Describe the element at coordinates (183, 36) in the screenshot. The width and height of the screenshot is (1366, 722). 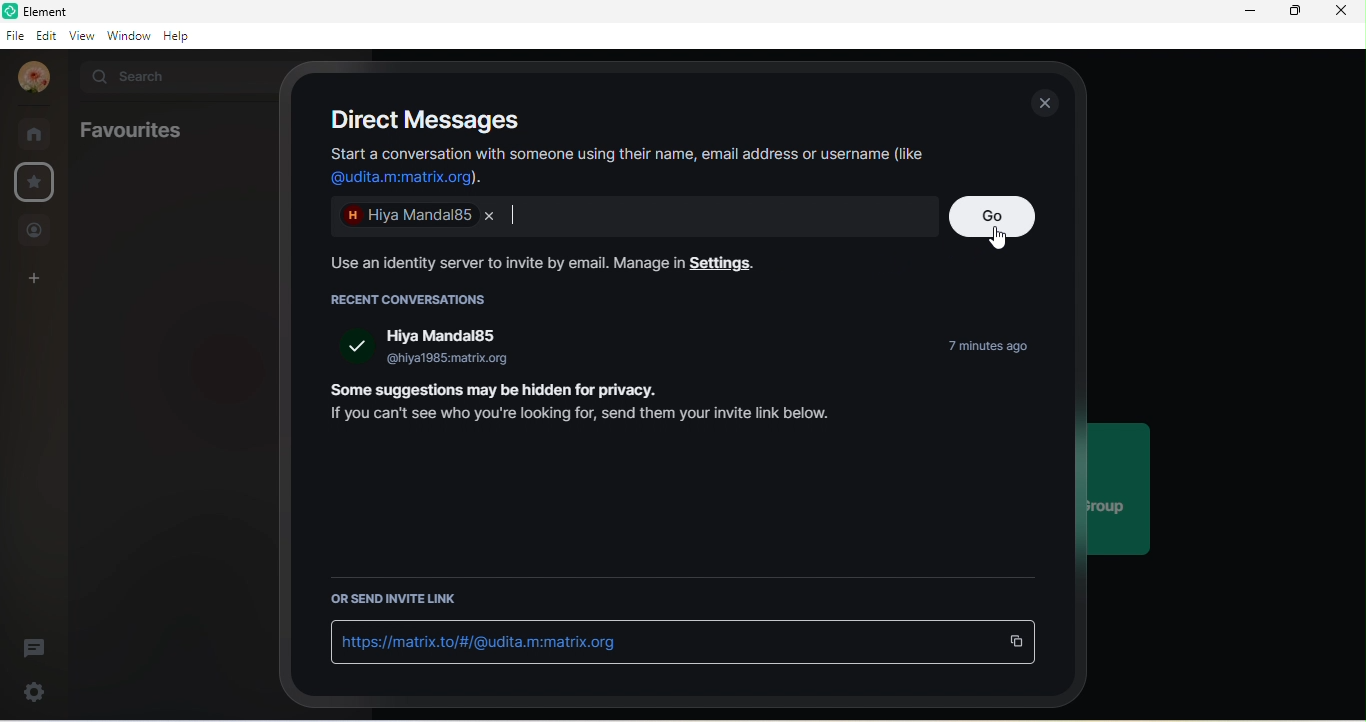
I see `help` at that location.